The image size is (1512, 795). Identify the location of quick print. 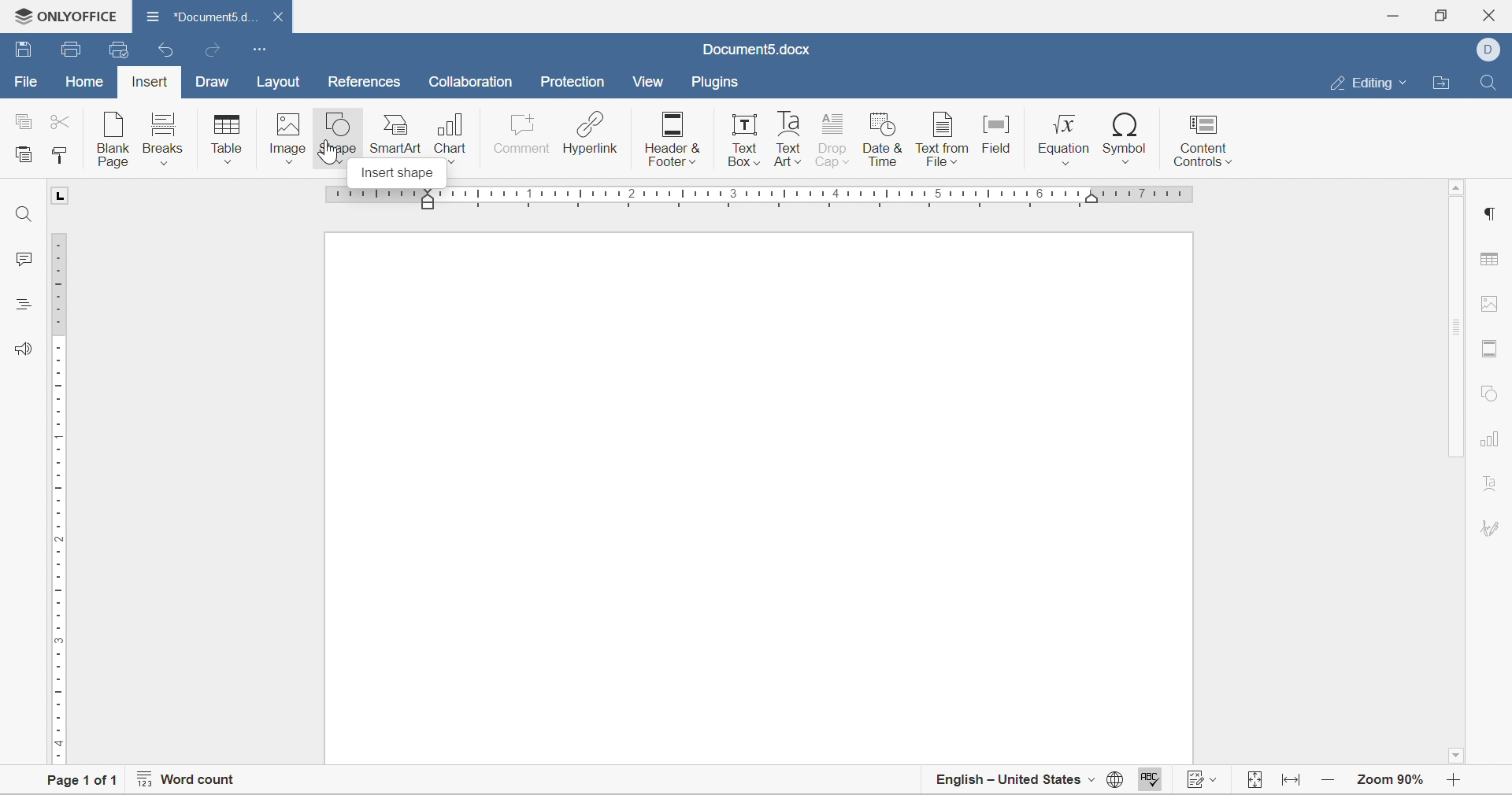
(120, 47).